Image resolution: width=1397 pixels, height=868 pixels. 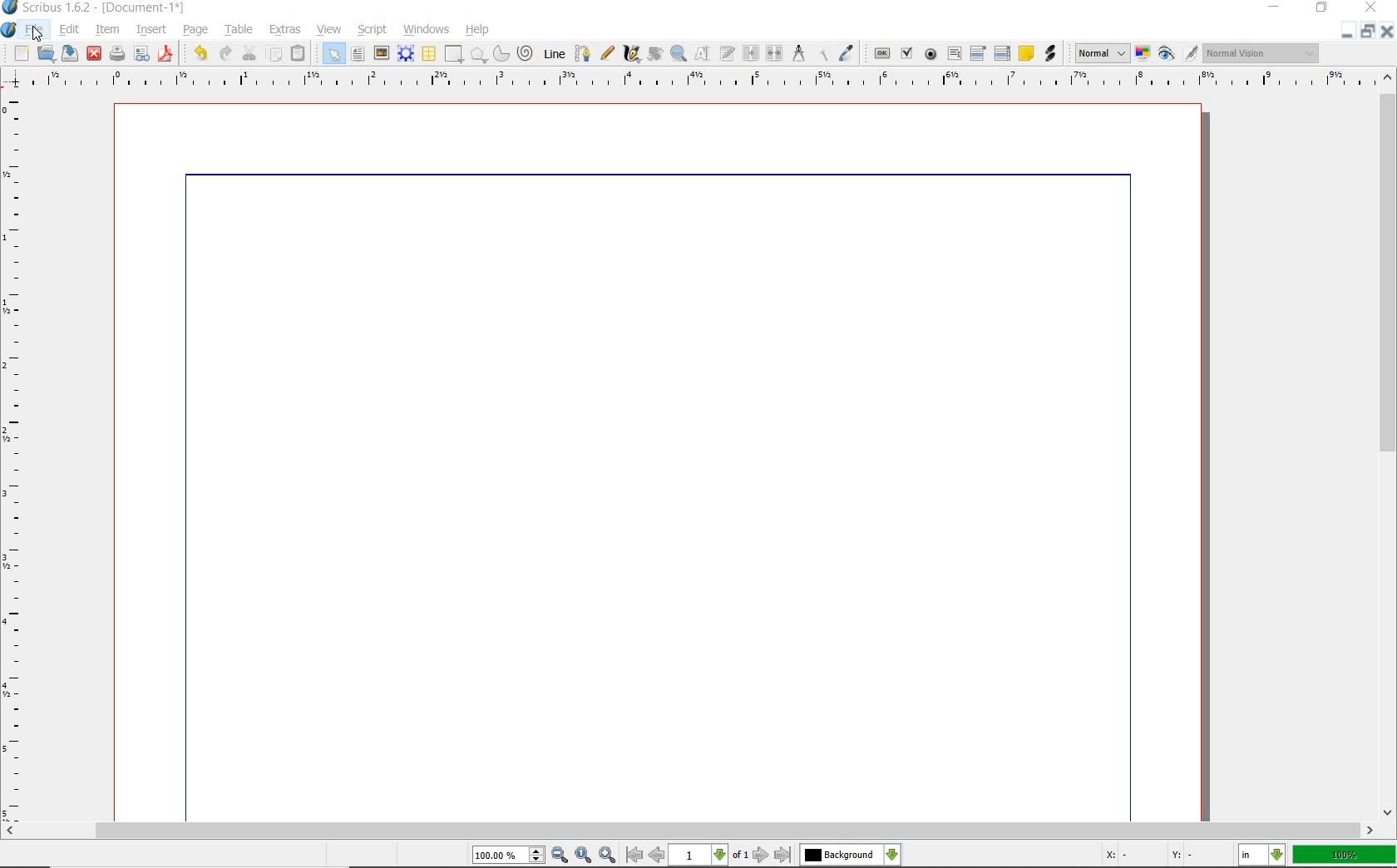 What do you see at coordinates (335, 53) in the screenshot?
I see `select` at bounding box center [335, 53].